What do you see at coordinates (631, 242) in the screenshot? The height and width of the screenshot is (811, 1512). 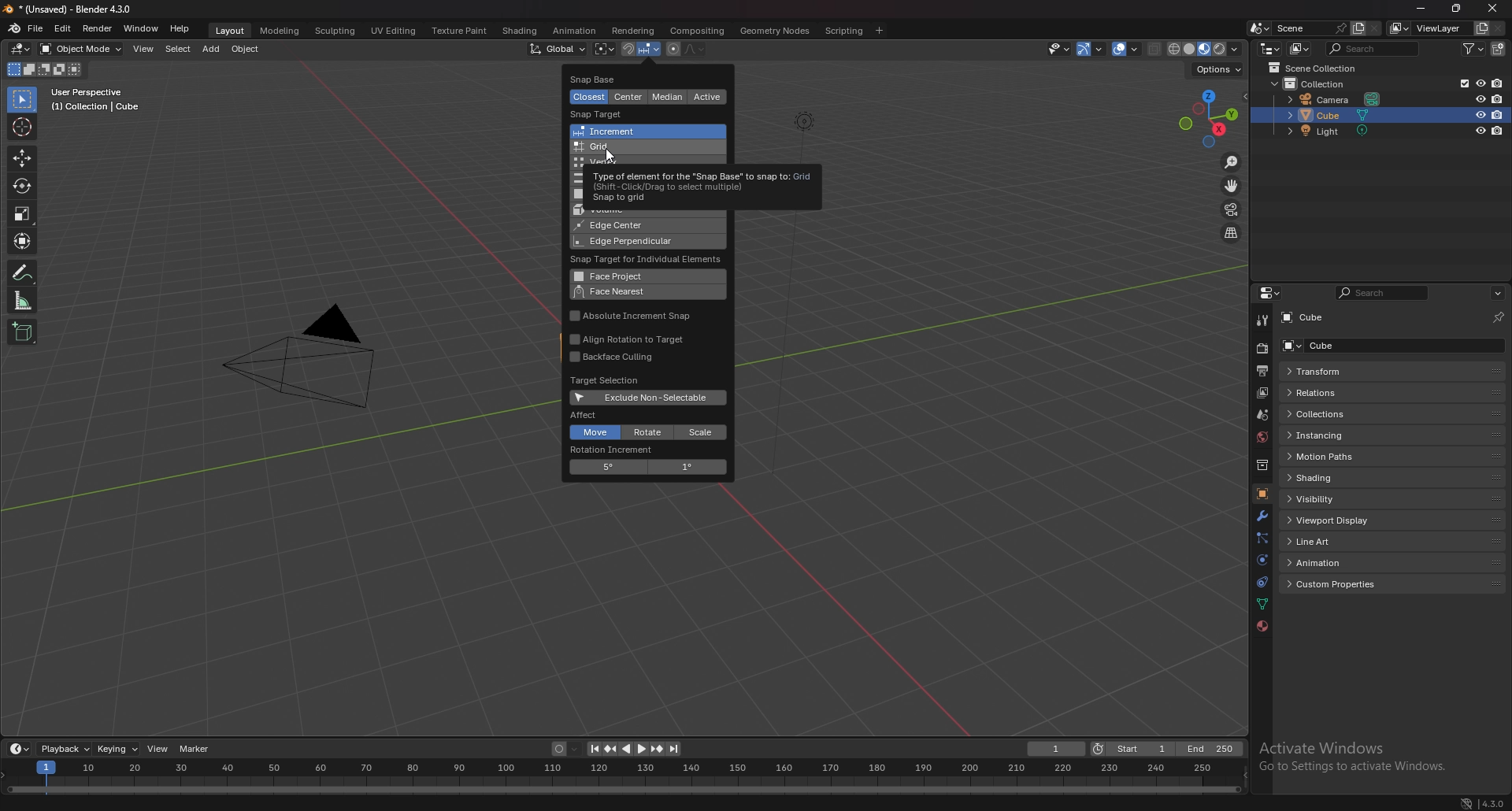 I see `edge perpendicular` at bounding box center [631, 242].